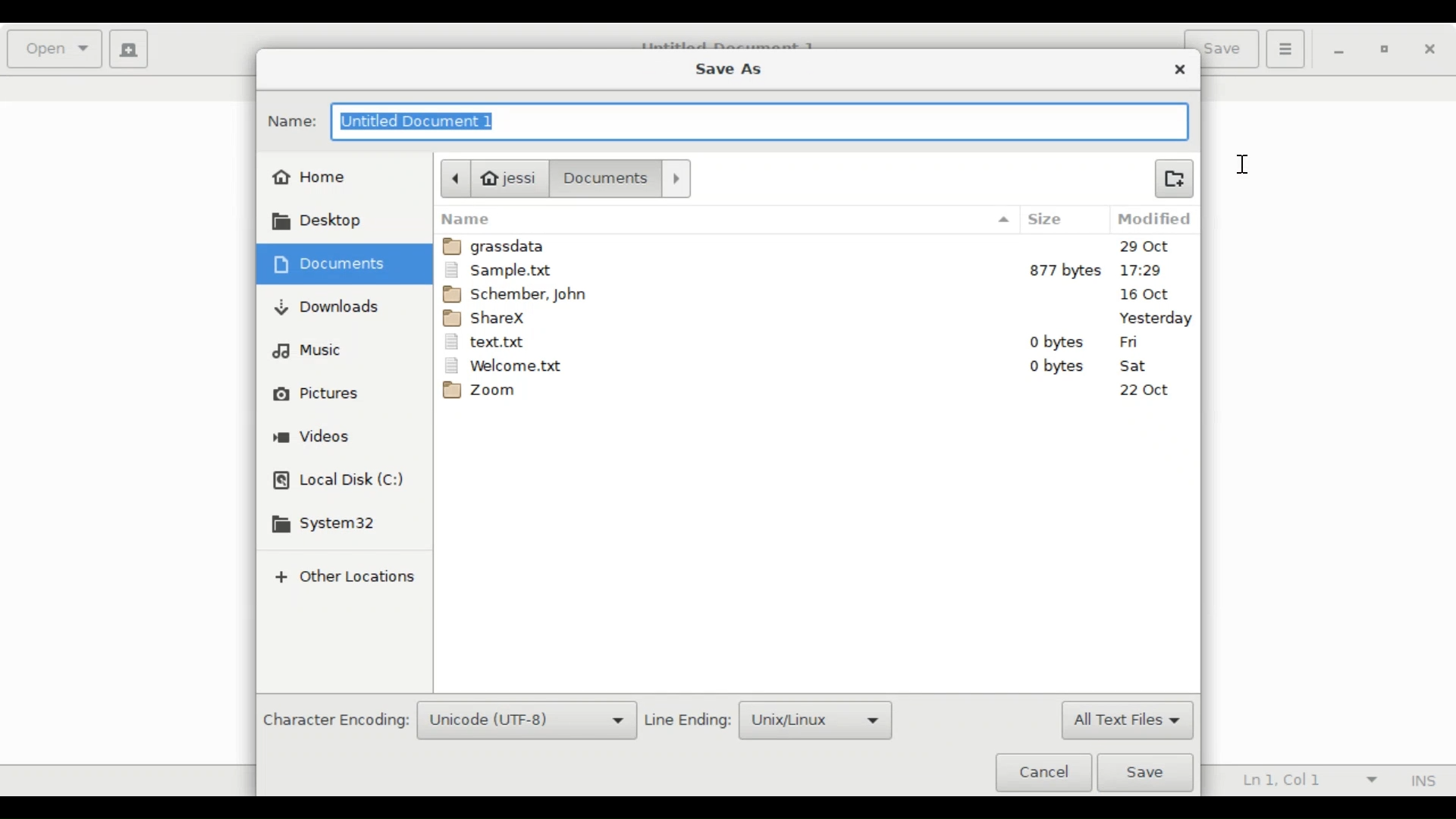  I want to click on Close, so click(1181, 70).